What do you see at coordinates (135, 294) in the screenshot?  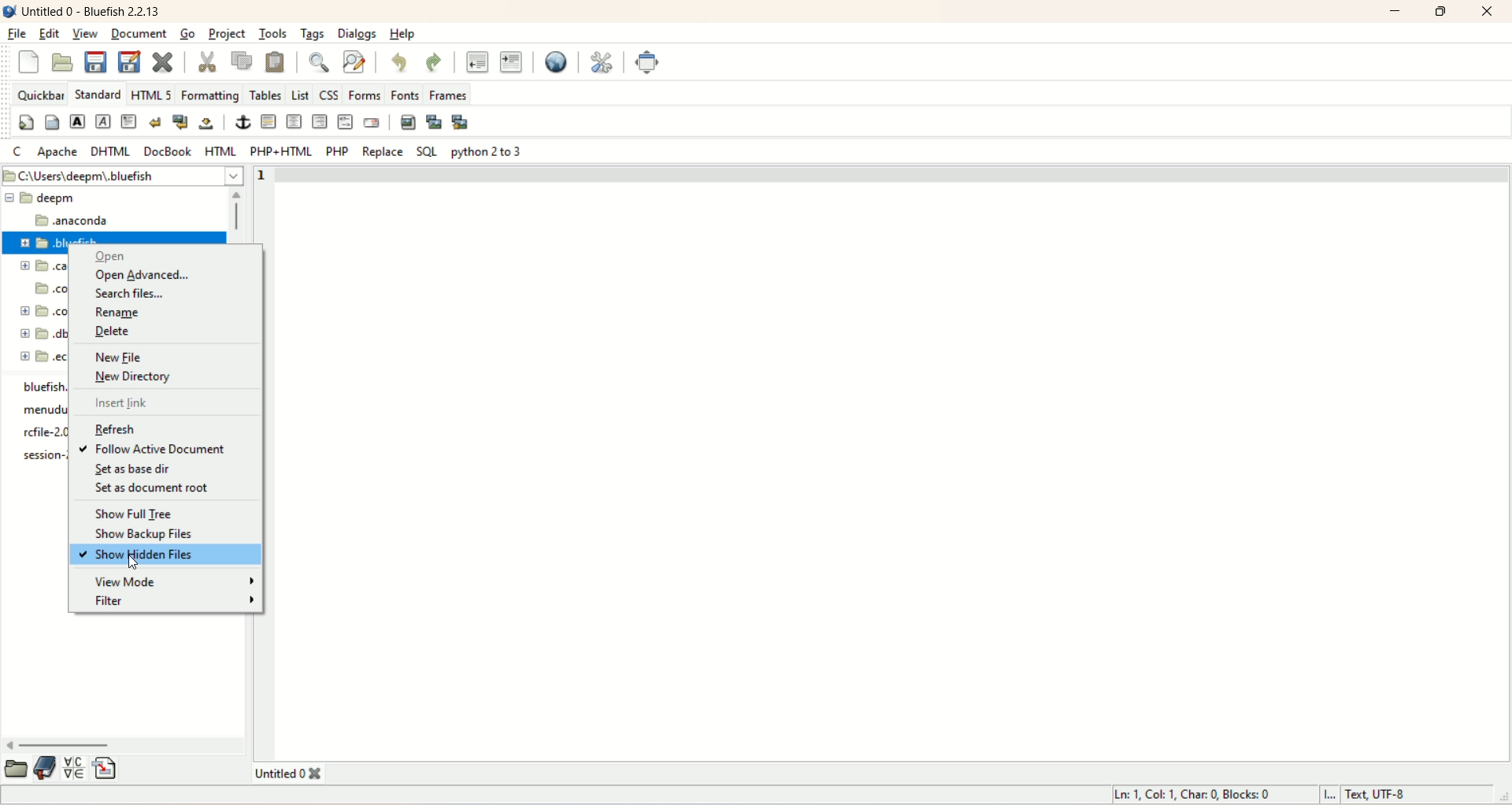 I see `search files` at bounding box center [135, 294].